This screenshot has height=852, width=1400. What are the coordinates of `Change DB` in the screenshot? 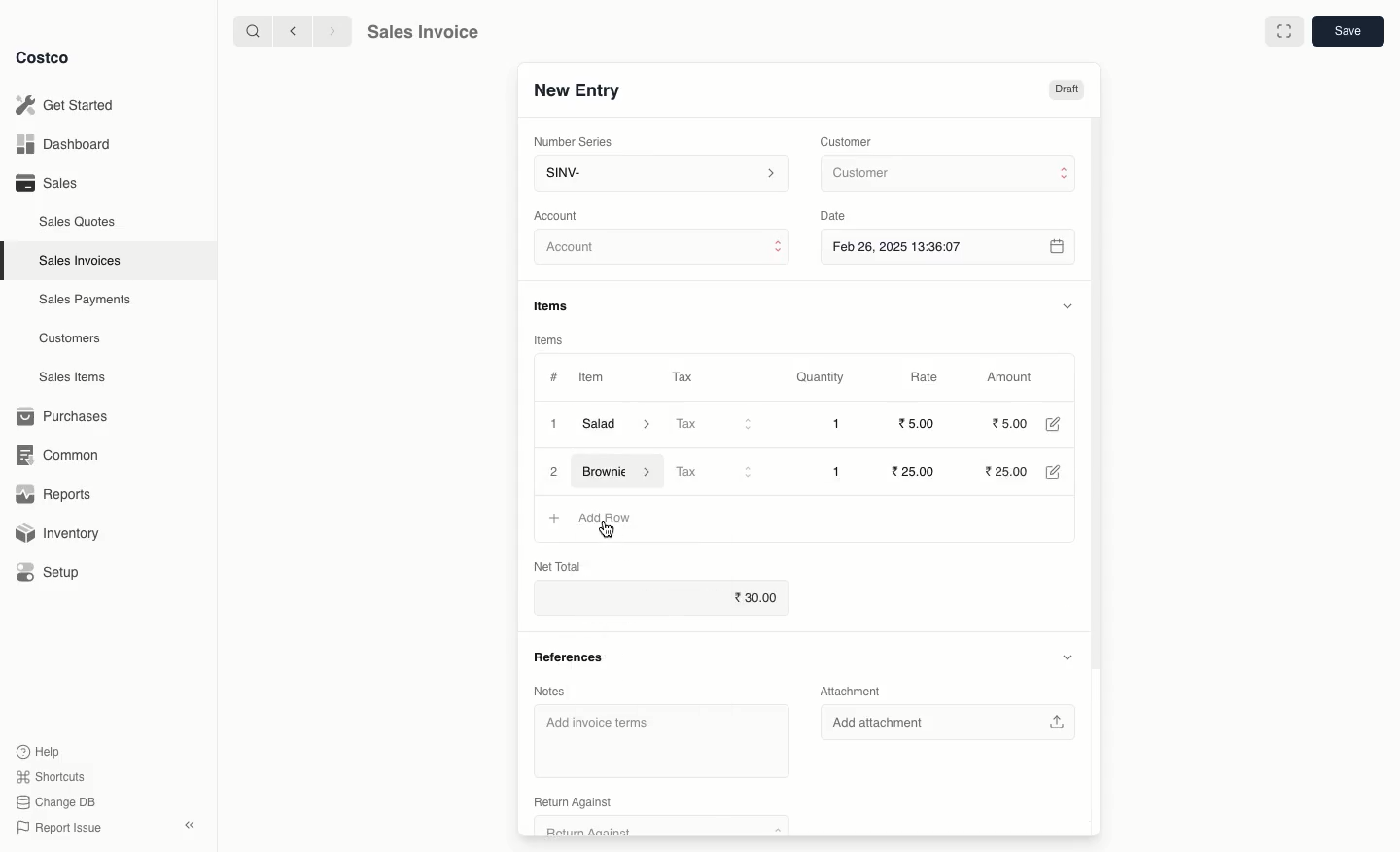 It's located at (52, 800).